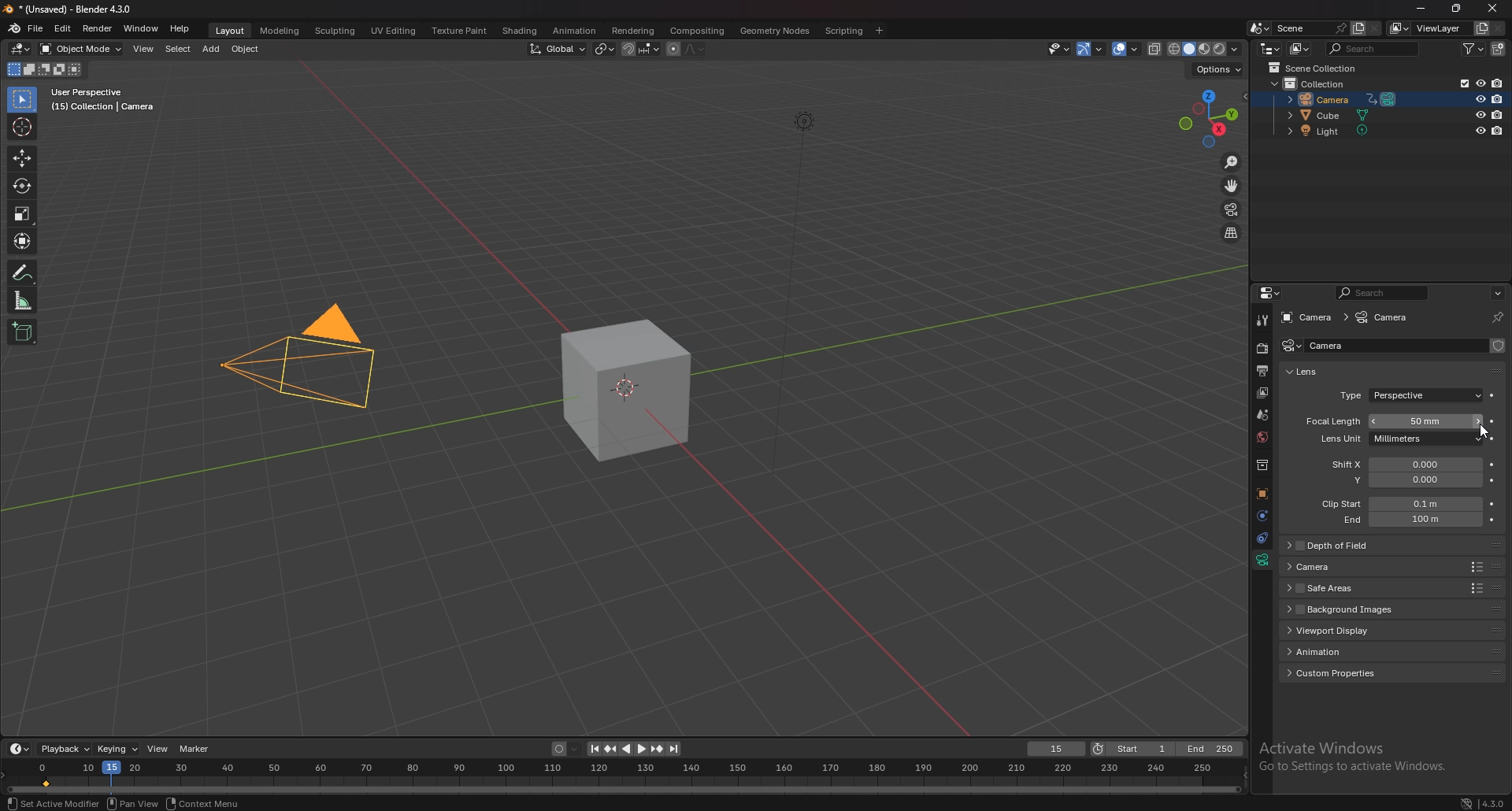  Describe the element at coordinates (1398, 439) in the screenshot. I see `lens unit` at that location.